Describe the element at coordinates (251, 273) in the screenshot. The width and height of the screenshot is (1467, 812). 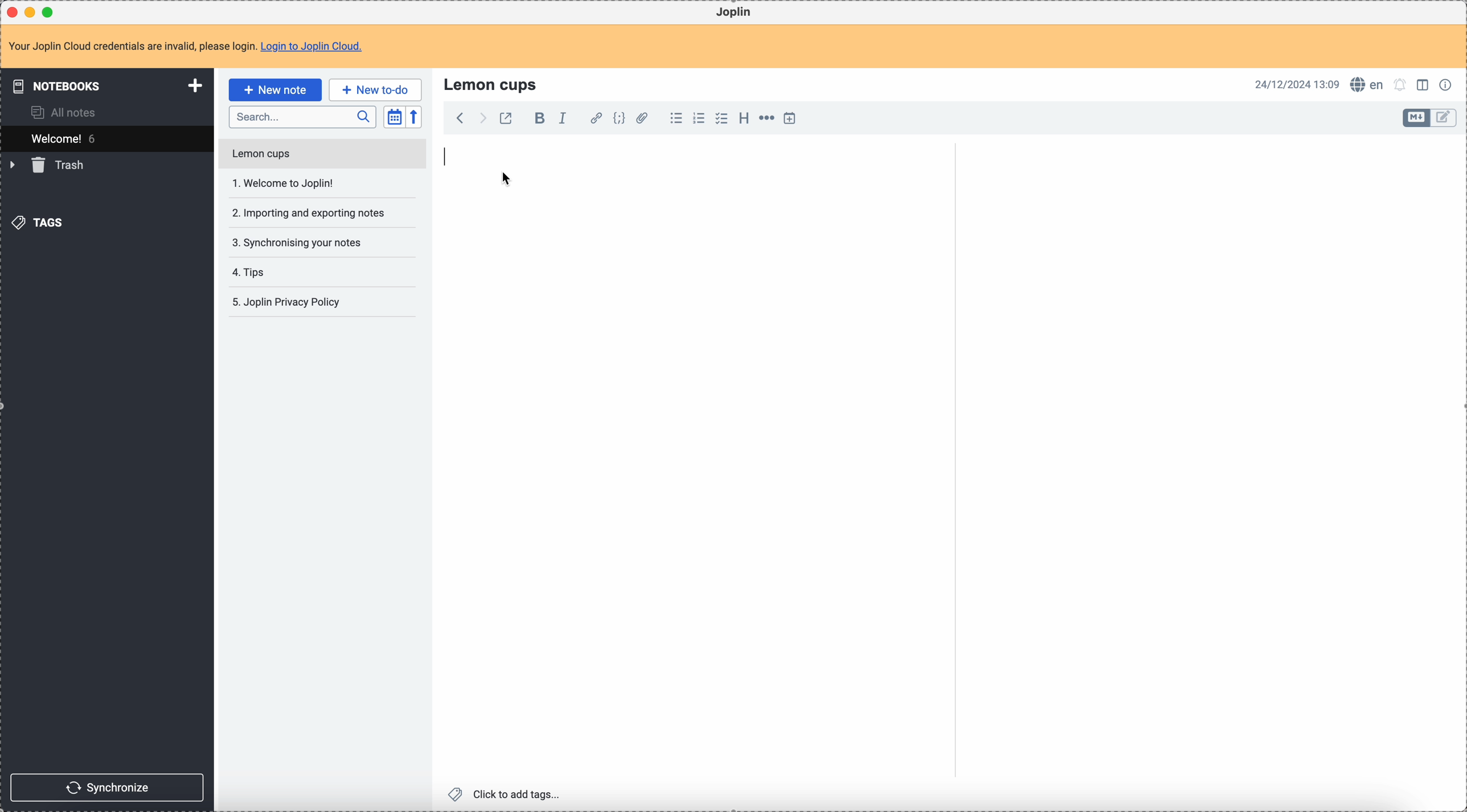
I see `tips` at that location.